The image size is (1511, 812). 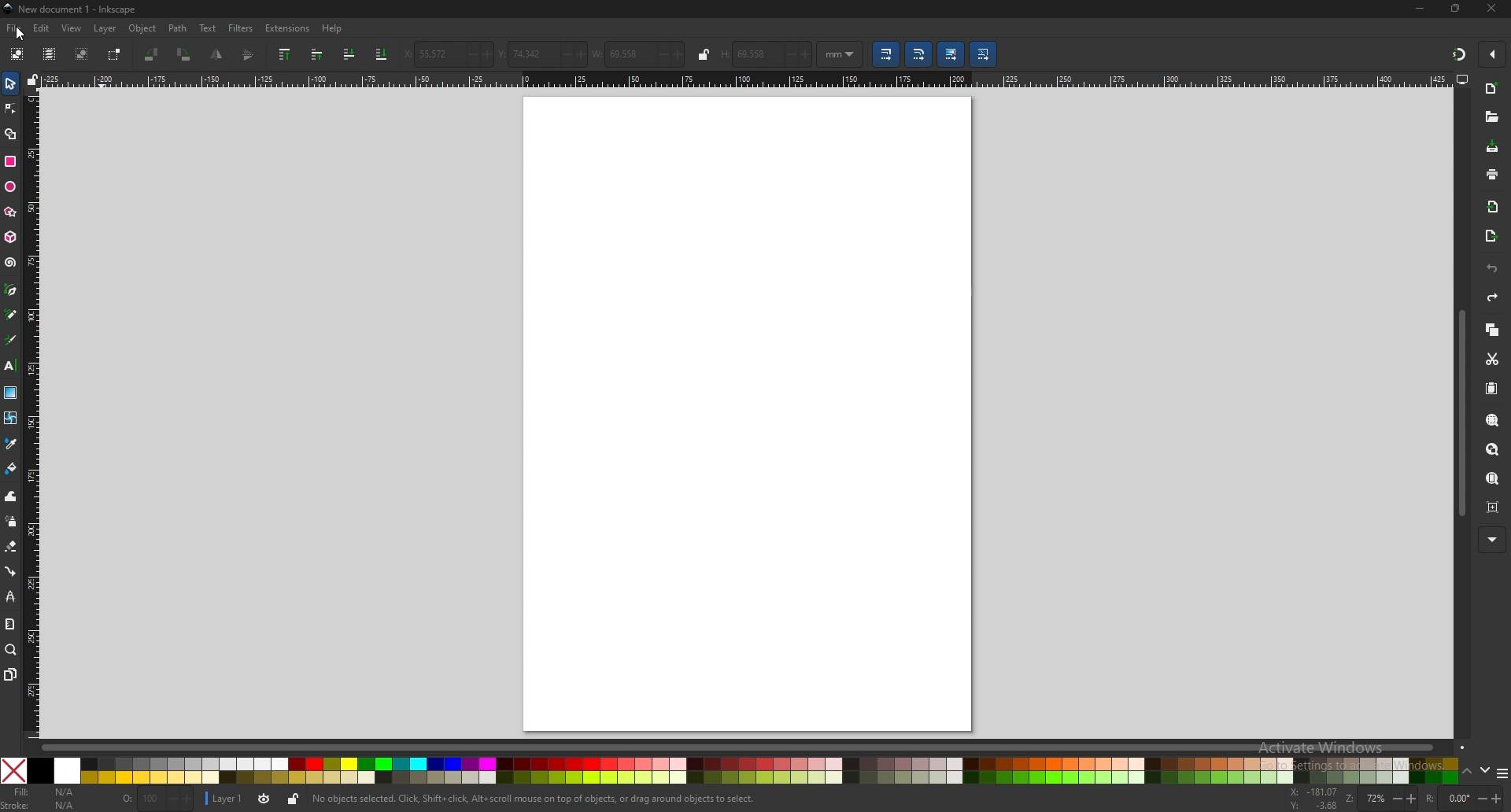 I want to click on rotation, so click(x=1446, y=799).